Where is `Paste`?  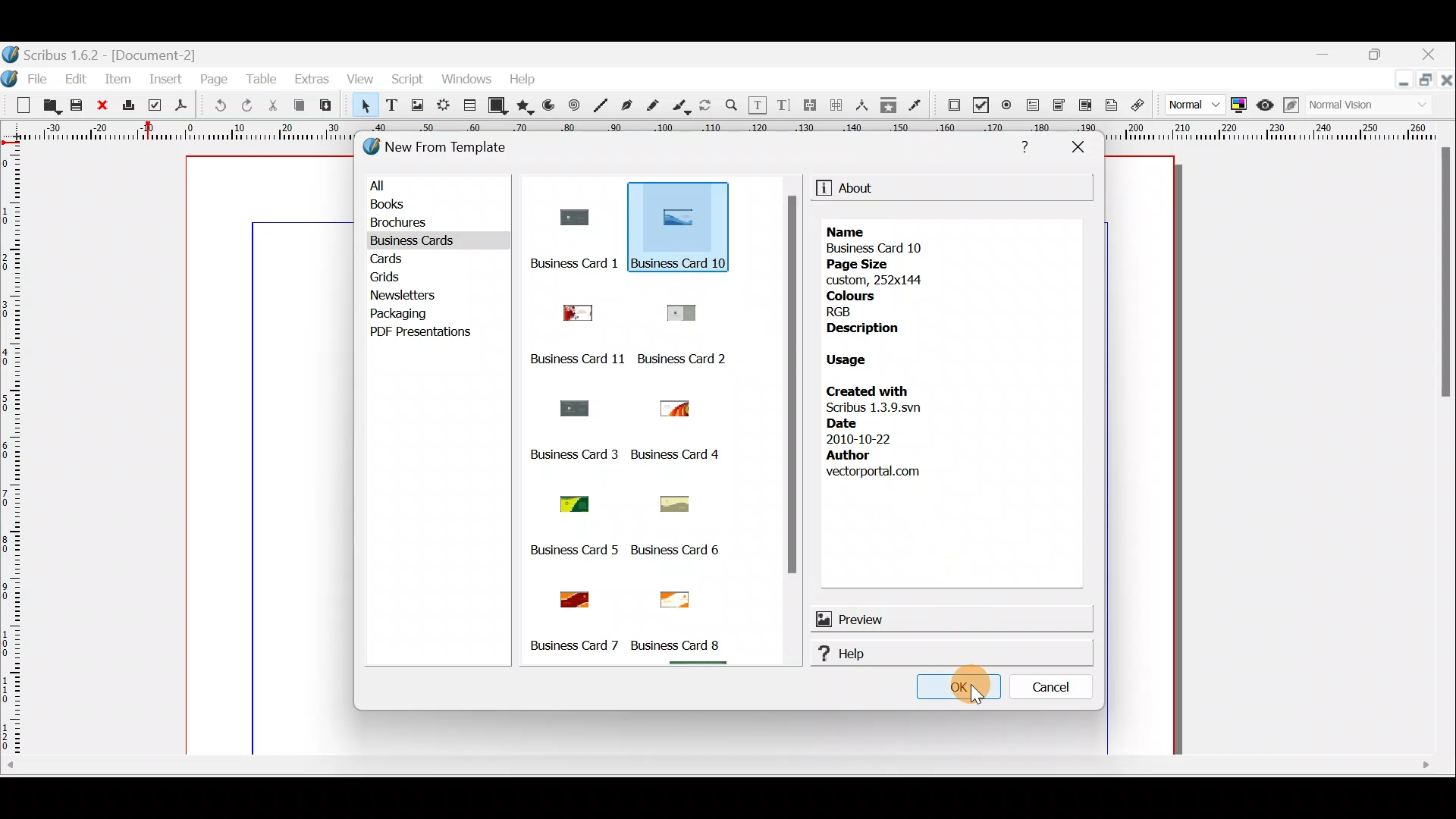 Paste is located at coordinates (325, 105).